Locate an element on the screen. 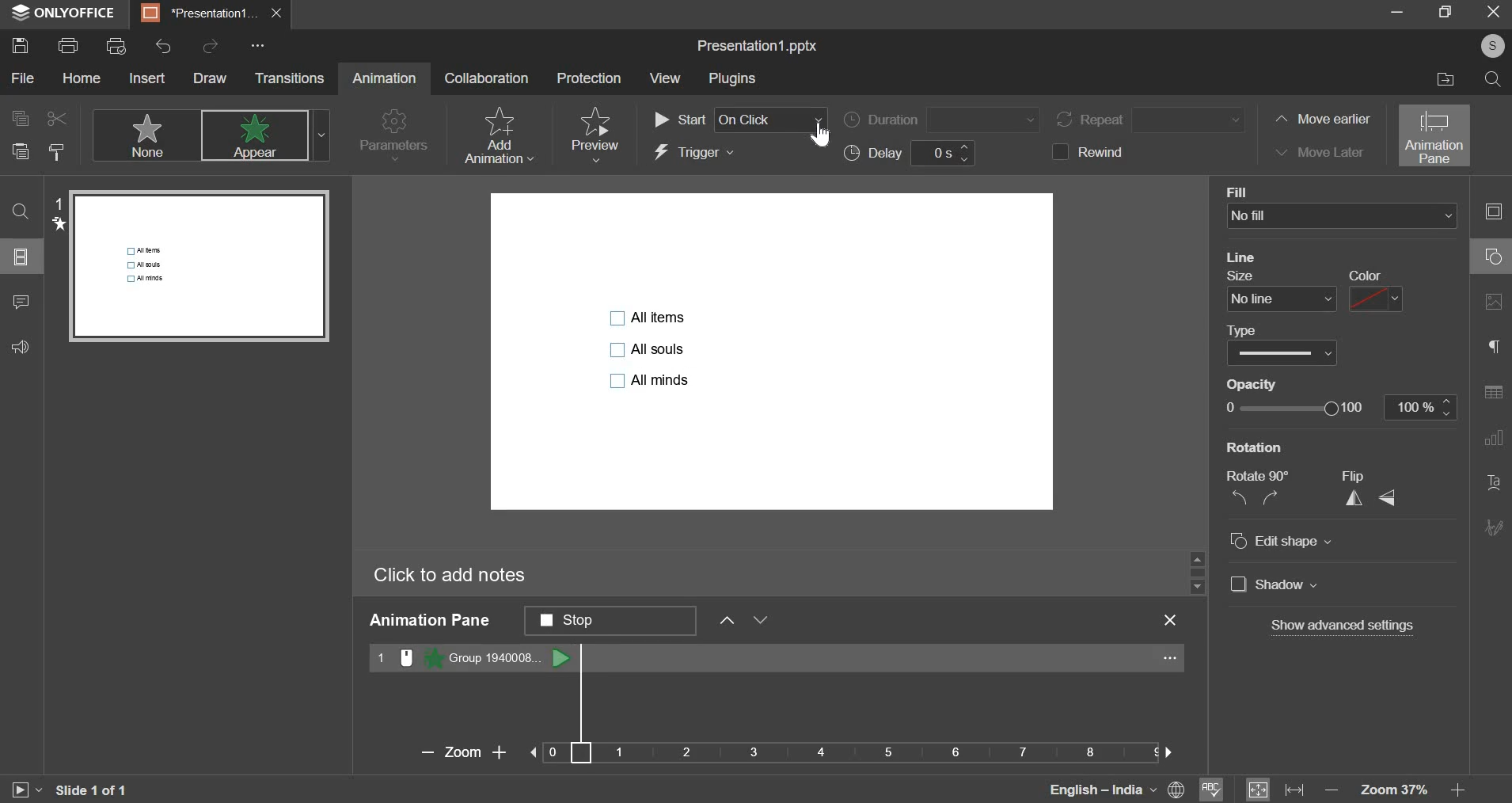  paste is located at coordinates (20, 153).